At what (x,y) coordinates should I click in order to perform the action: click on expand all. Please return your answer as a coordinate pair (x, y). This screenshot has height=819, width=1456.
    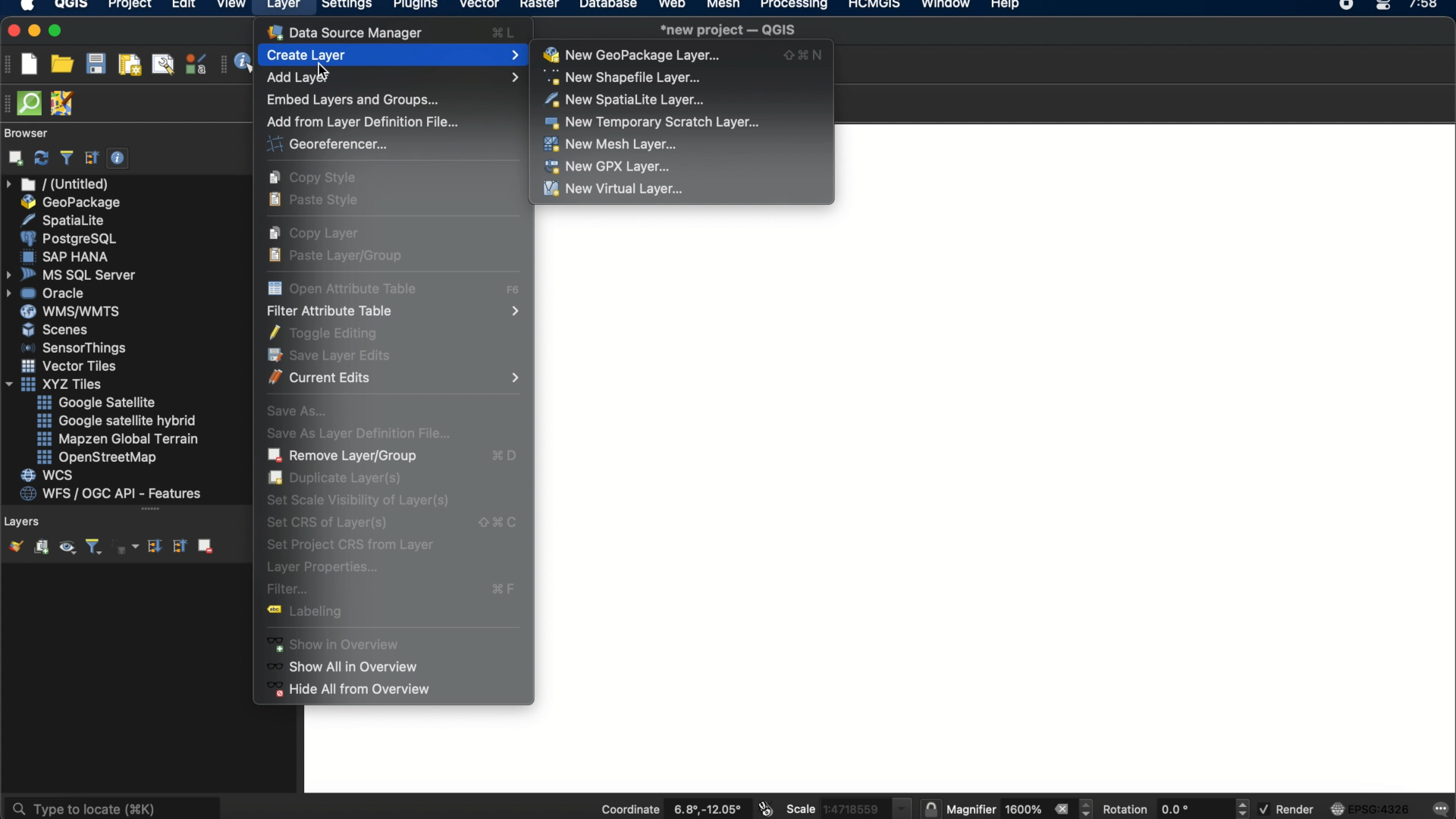
    Looking at the image, I should click on (152, 547).